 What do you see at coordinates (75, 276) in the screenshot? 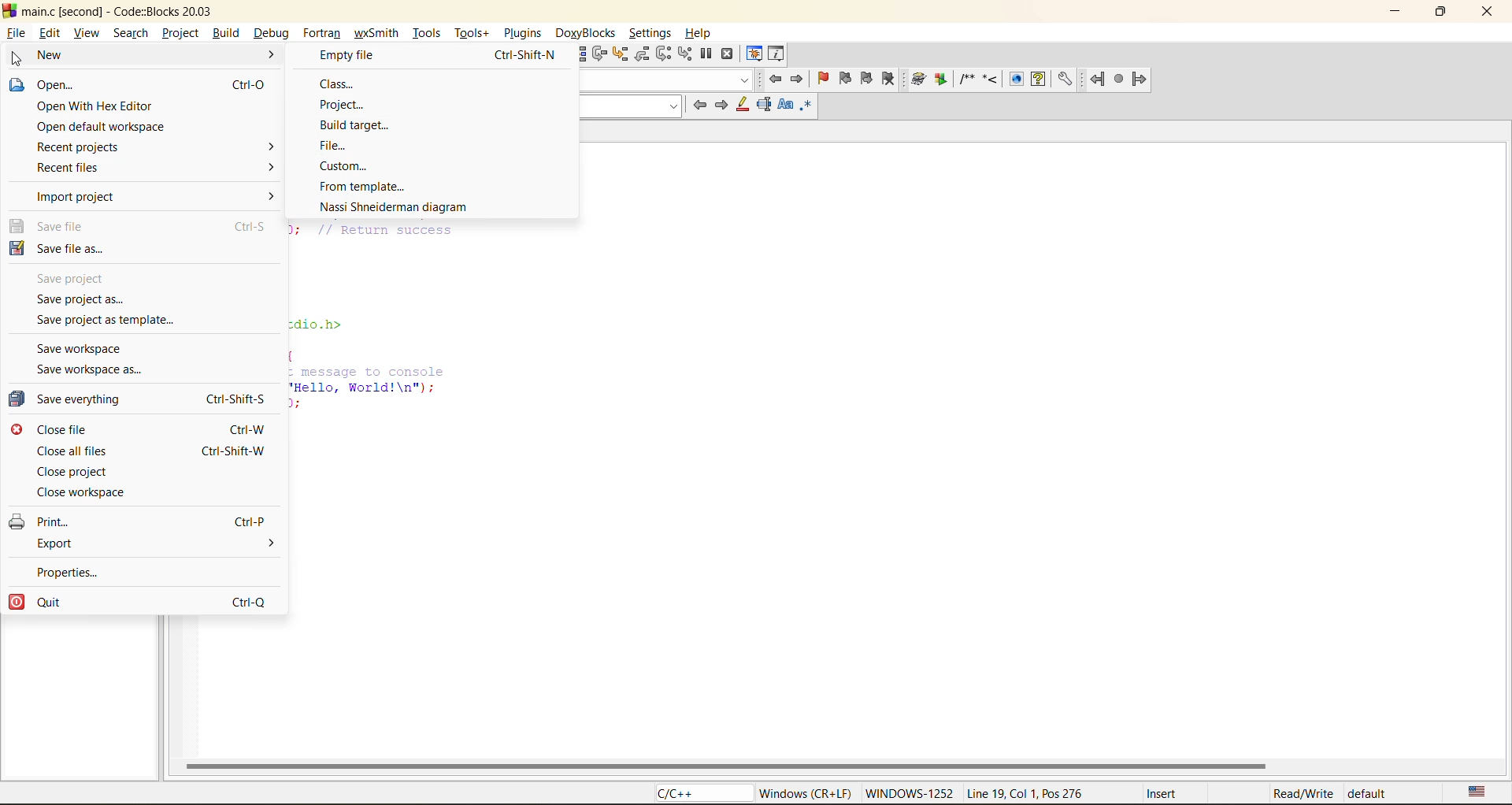
I see `save project` at bounding box center [75, 276].